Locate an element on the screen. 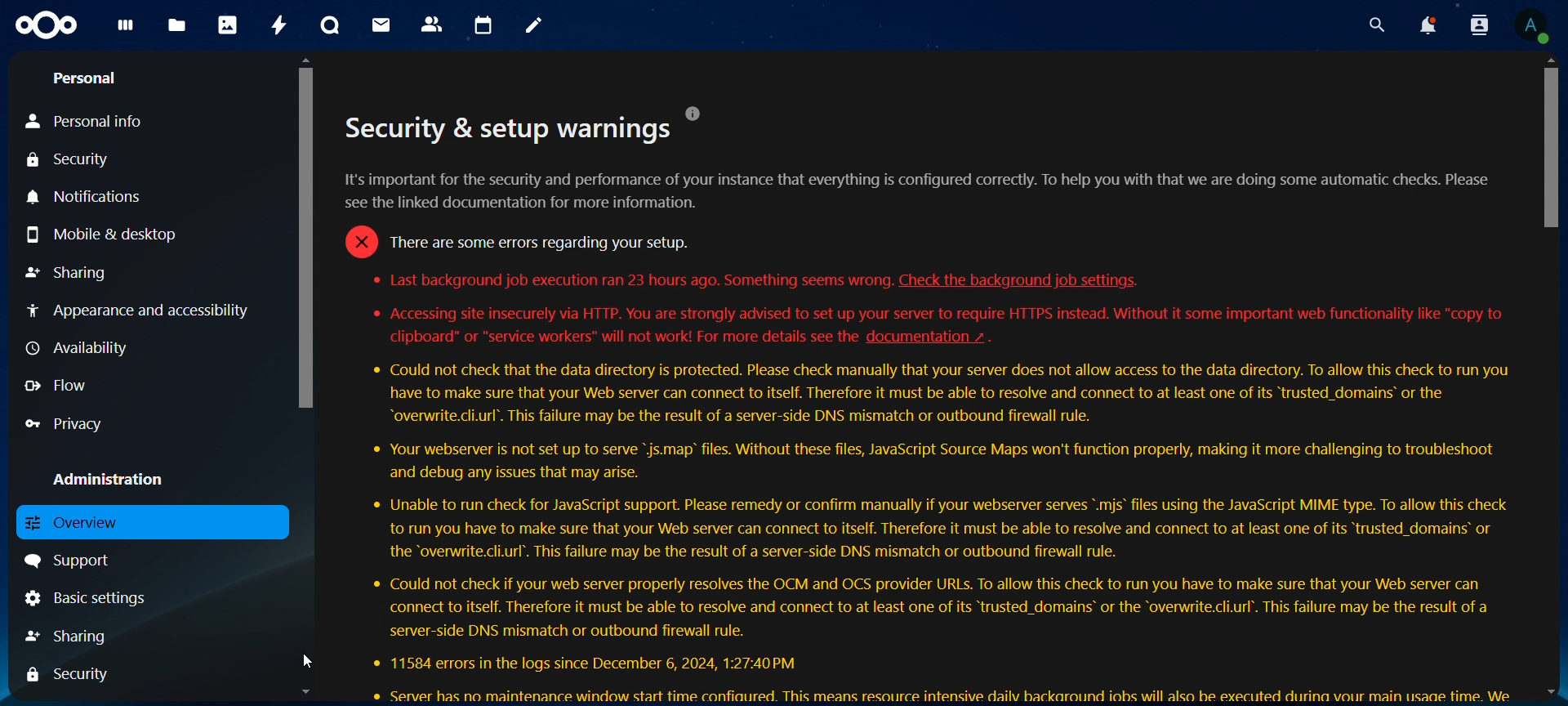 Image resolution: width=1568 pixels, height=706 pixels. availability is located at coordinates (78, 347).